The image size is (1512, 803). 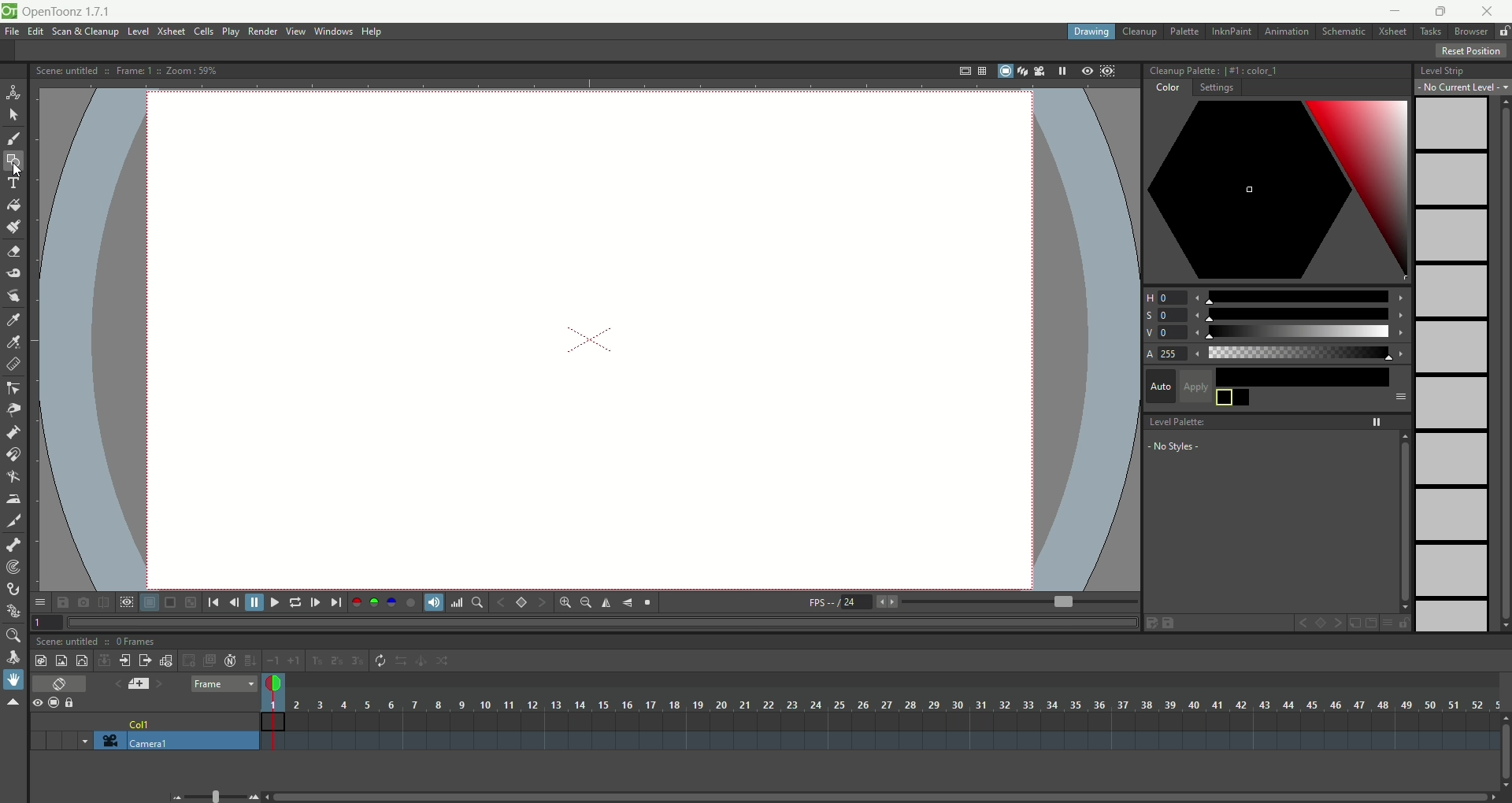 What do you see at coordinates (91, 33) in the screenshot?
I see `scan & cleanup` at bounding box center [91, 33].